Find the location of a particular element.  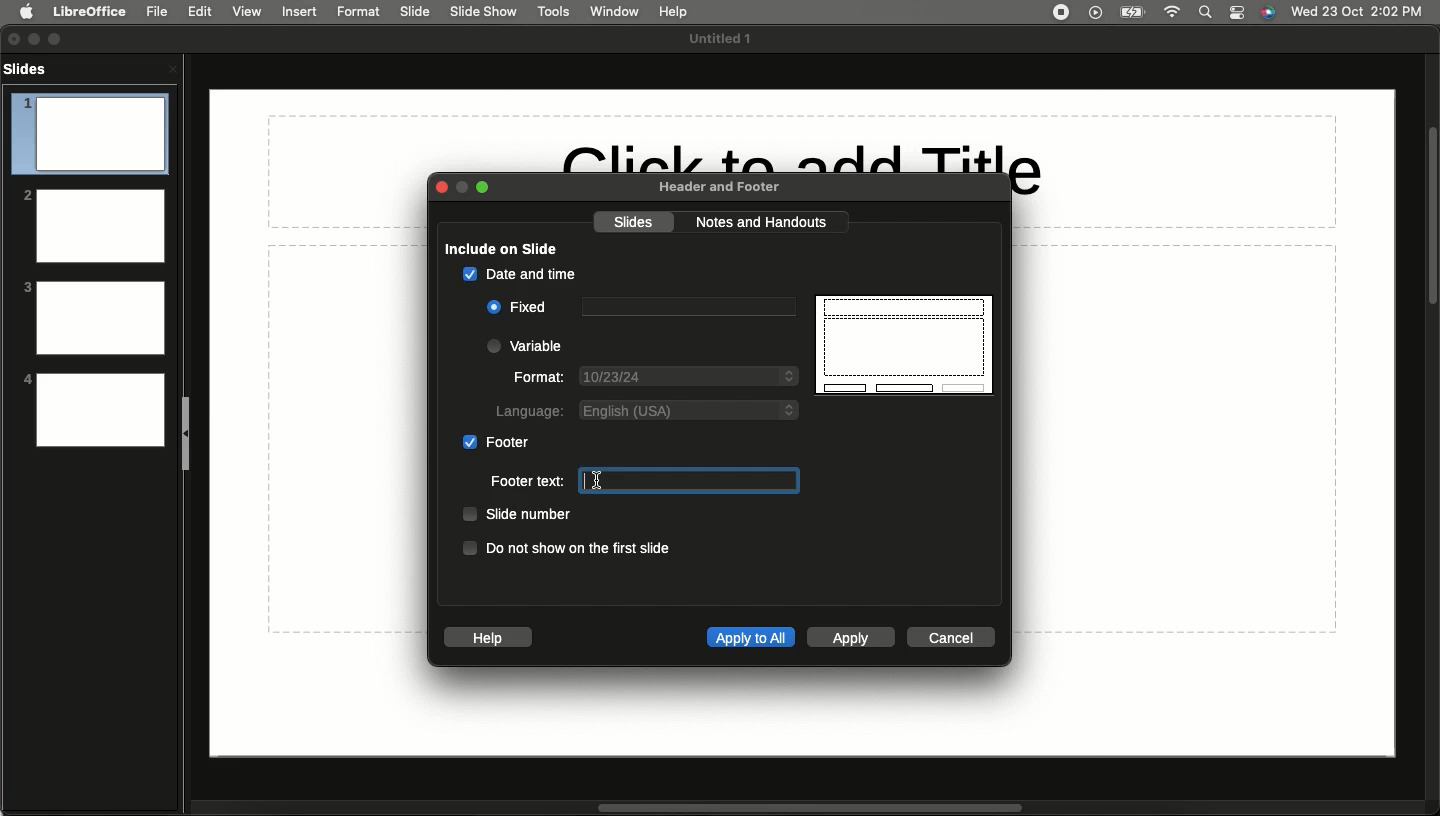

4 is located at coordinates (93, 409).